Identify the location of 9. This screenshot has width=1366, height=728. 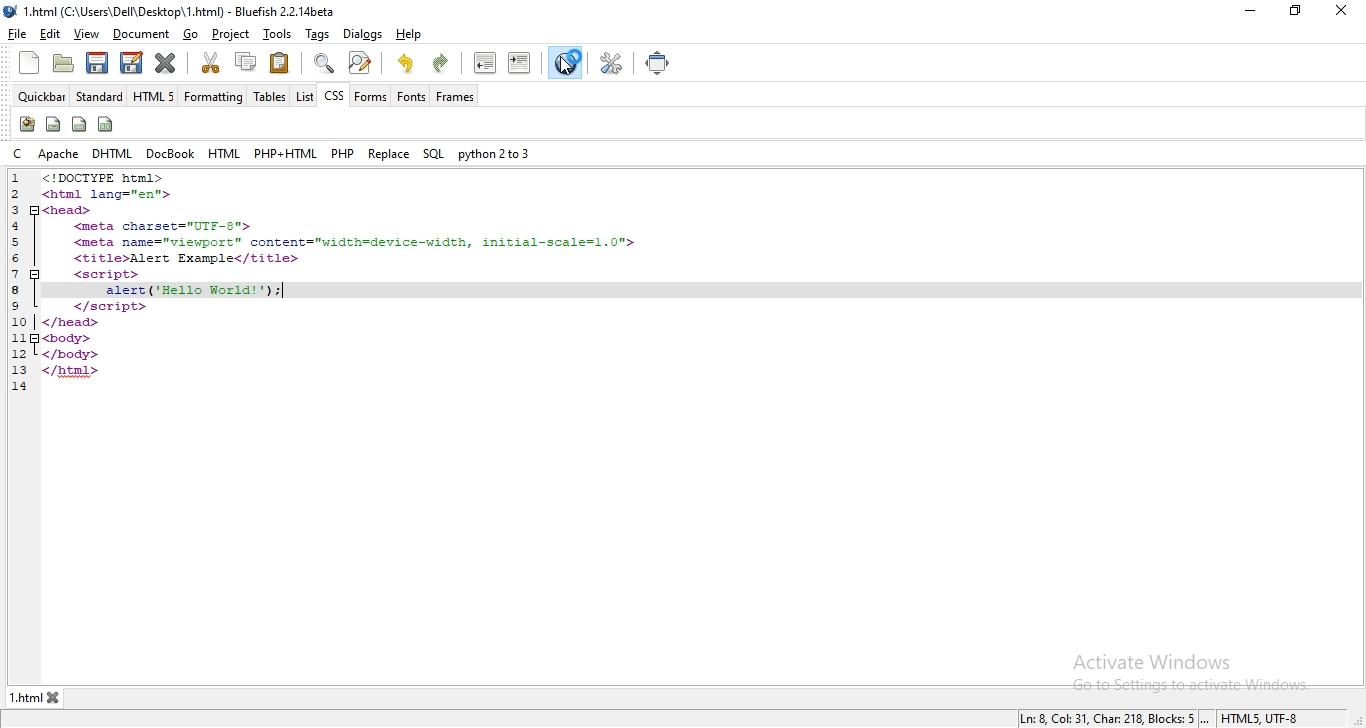
(15, 305).